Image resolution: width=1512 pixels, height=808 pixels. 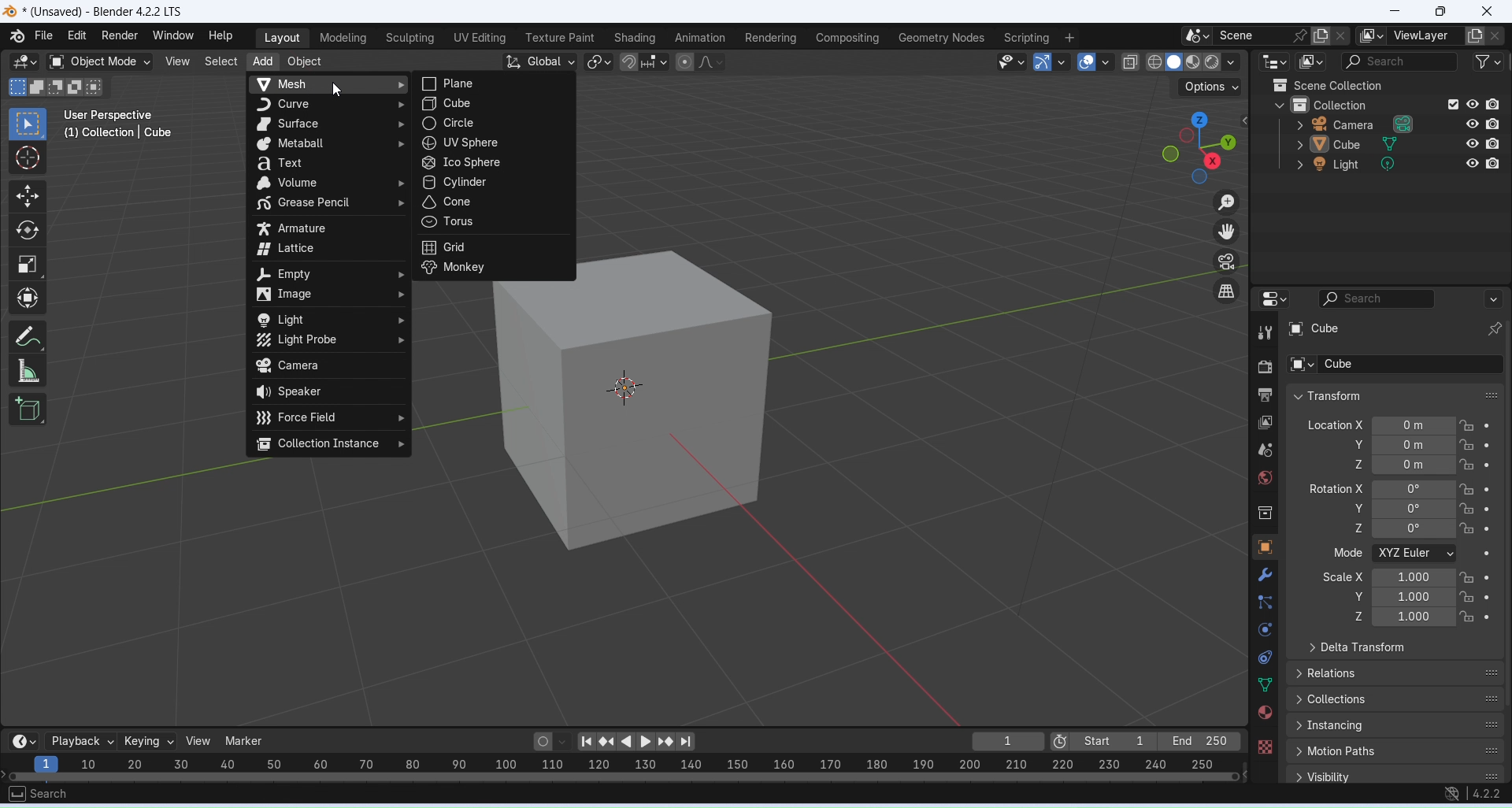 What do you see at coordinates (114, 116) in the screenshot?
I see `user perspective` at bounding box center [114, 116].